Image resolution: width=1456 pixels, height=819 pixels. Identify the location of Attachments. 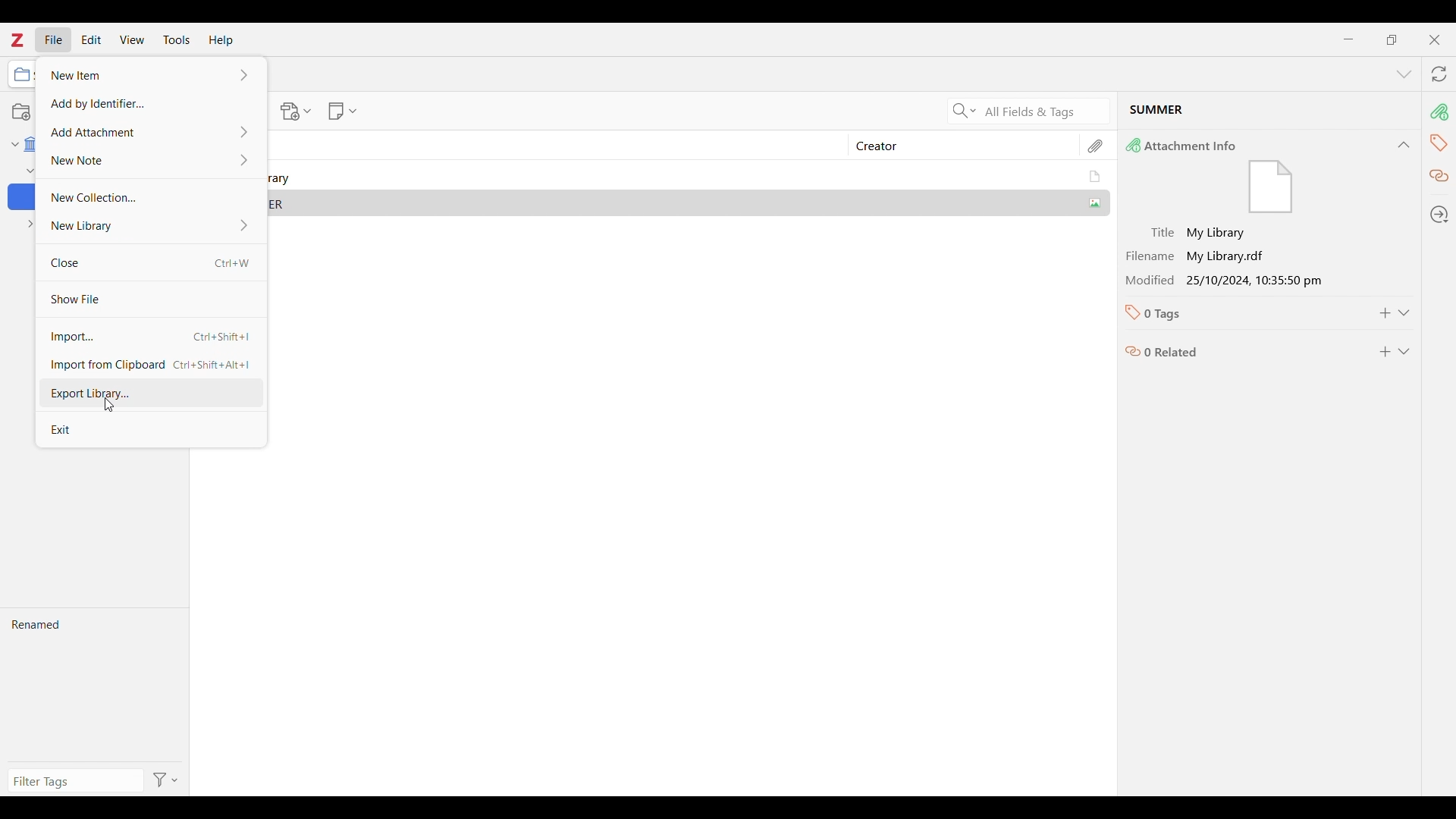
(1097, 146).